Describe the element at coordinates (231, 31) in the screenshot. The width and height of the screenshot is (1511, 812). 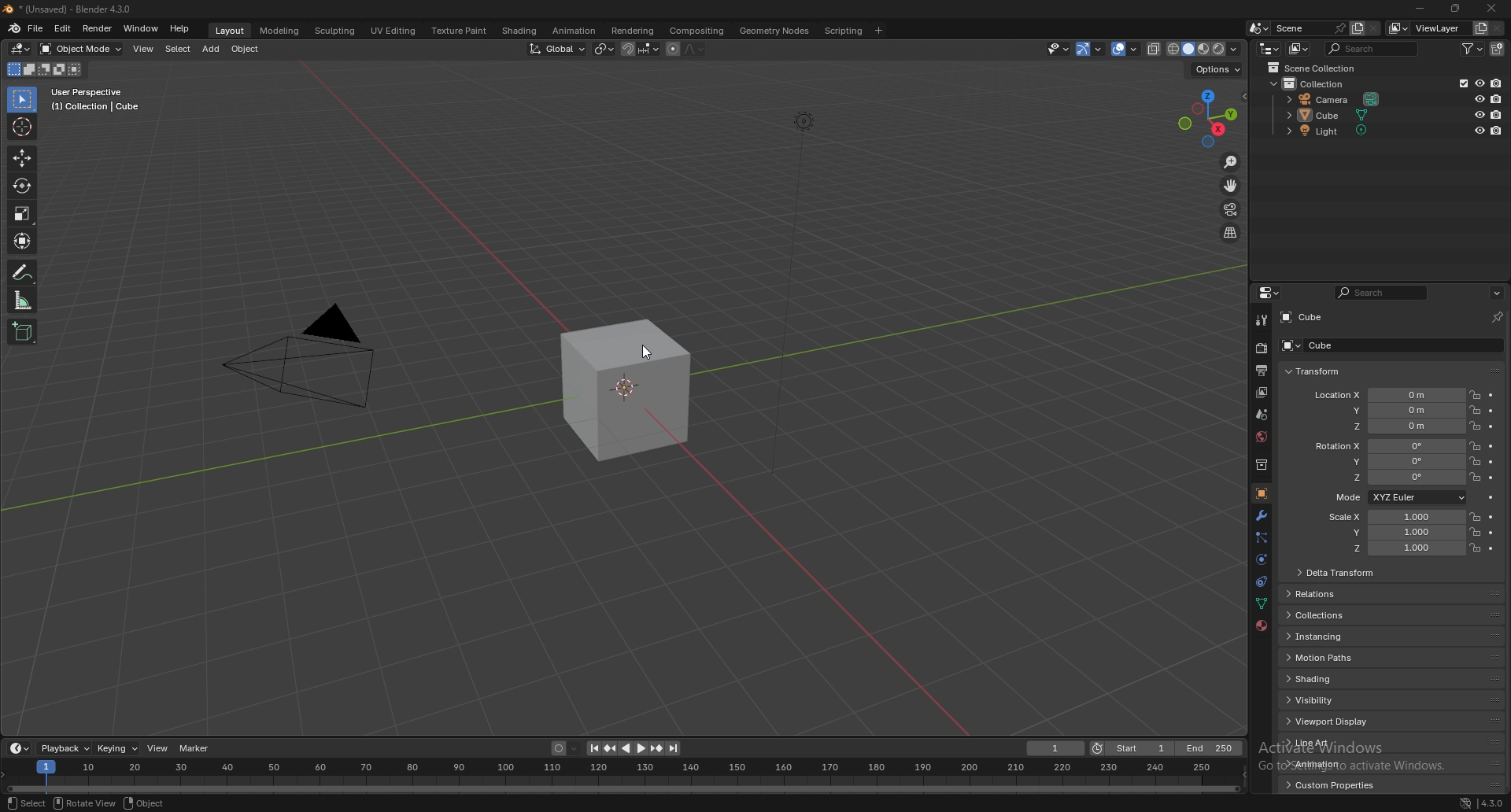
I see `layout` at that location.